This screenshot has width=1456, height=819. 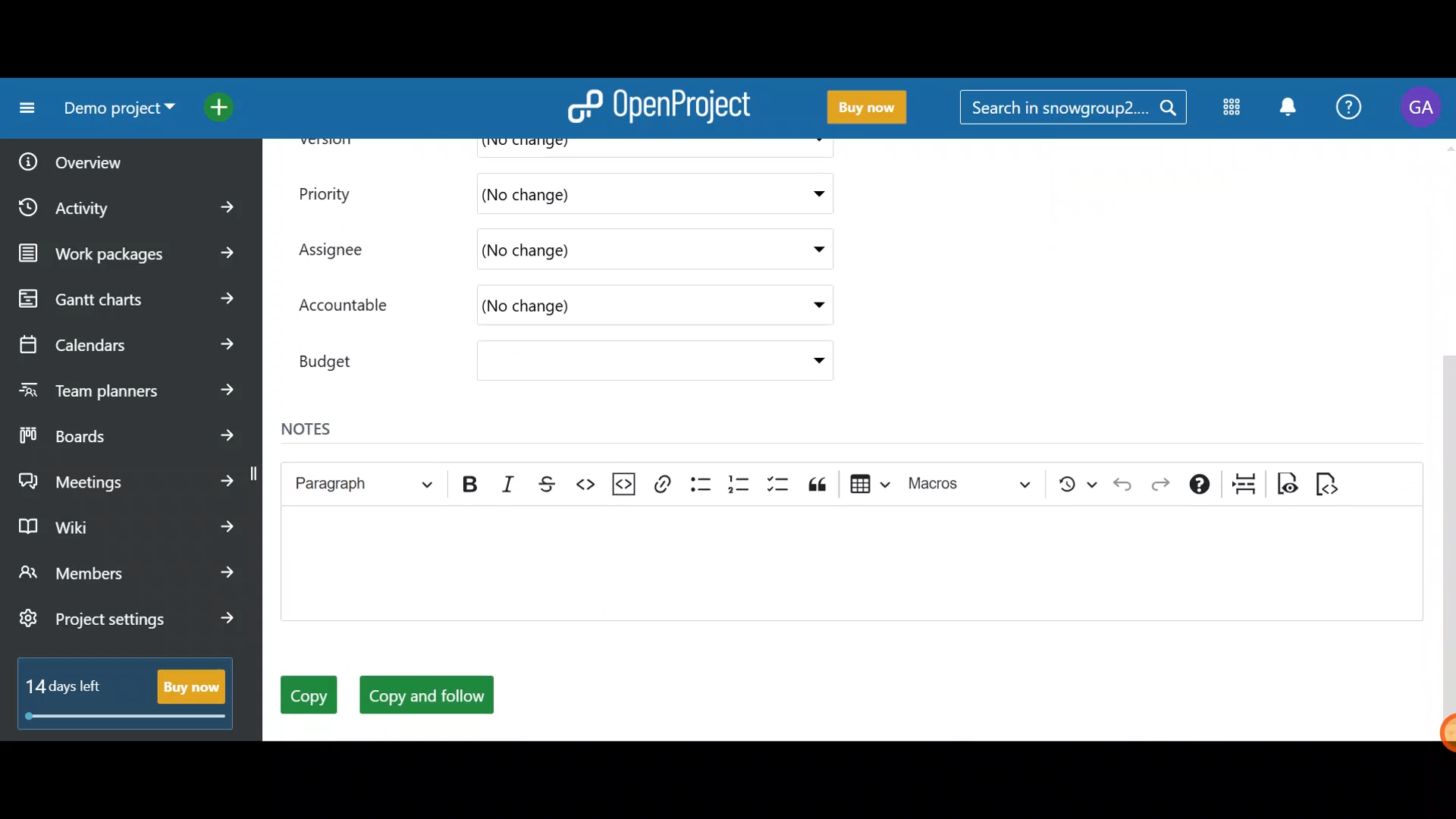 I want to click on Notes, so click(x=315, y=431).